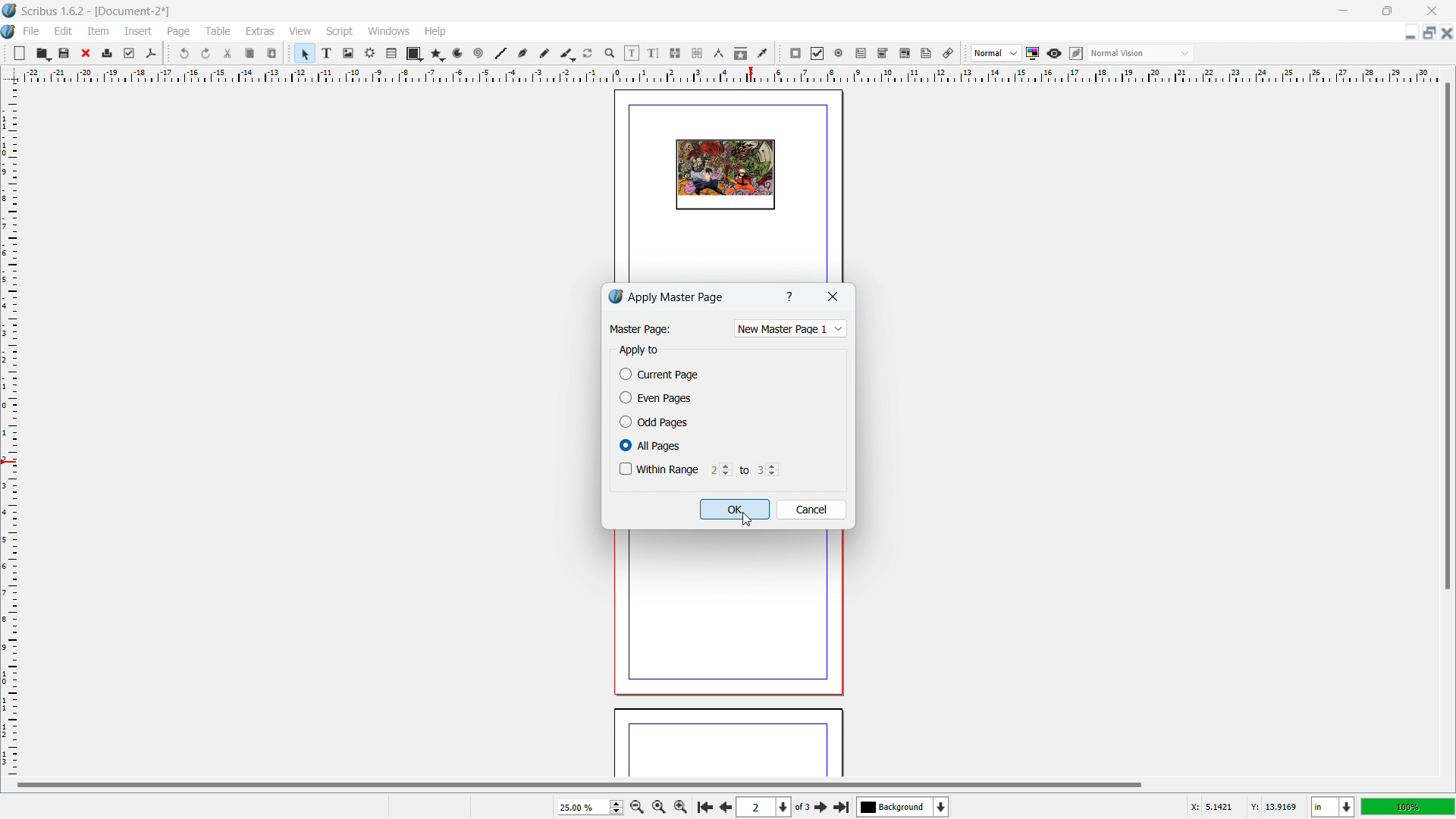 Image resolution: width=1456 pixels, height=819 pixels. Describe the element at coordinates (328, 52) in the screenshot. I see `text frame` at that location.